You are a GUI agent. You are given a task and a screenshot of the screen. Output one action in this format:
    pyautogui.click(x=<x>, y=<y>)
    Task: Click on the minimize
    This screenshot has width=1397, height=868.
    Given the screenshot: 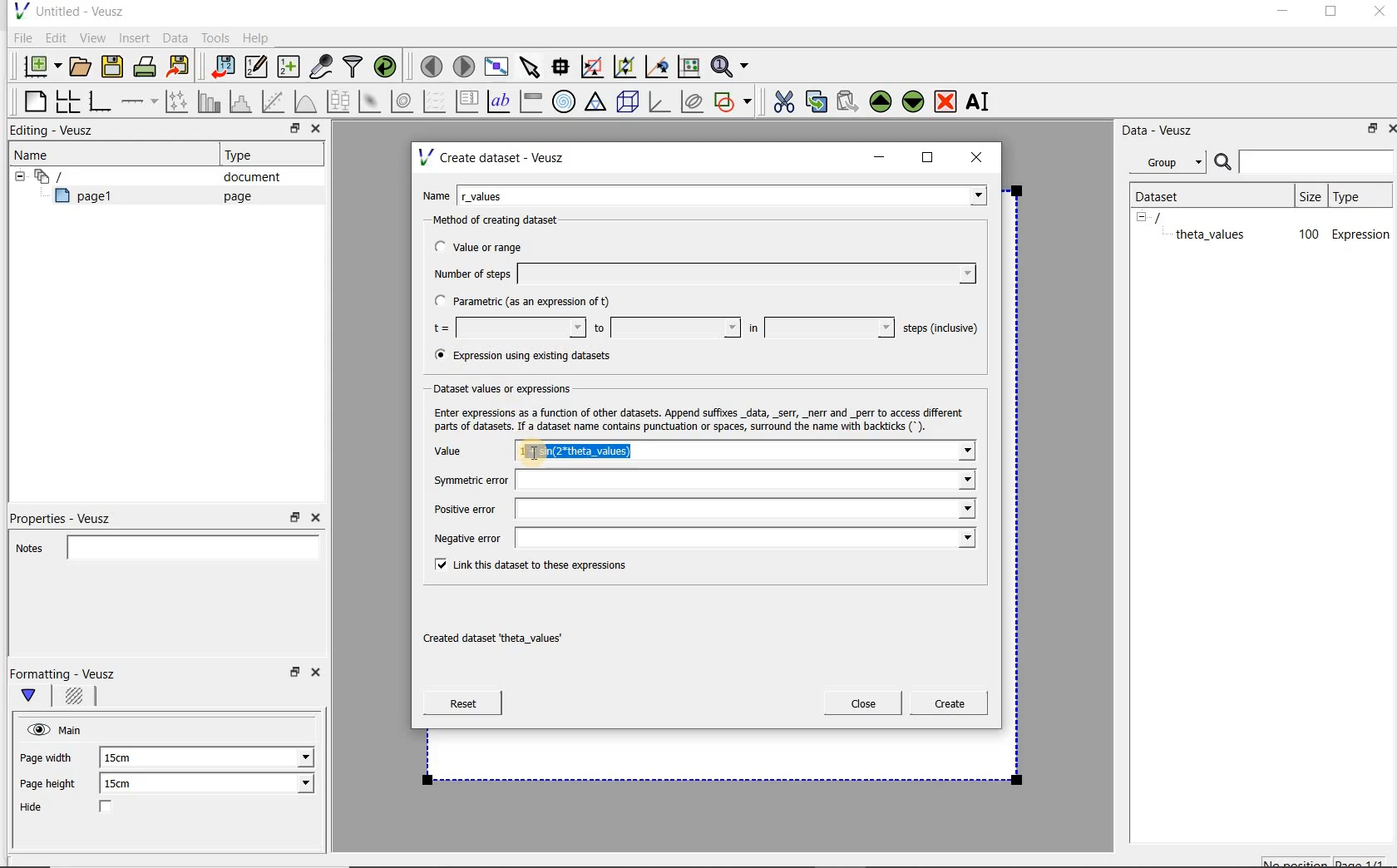 What is the action you would take?
    pyautogui.click(x=880, y=157)
    